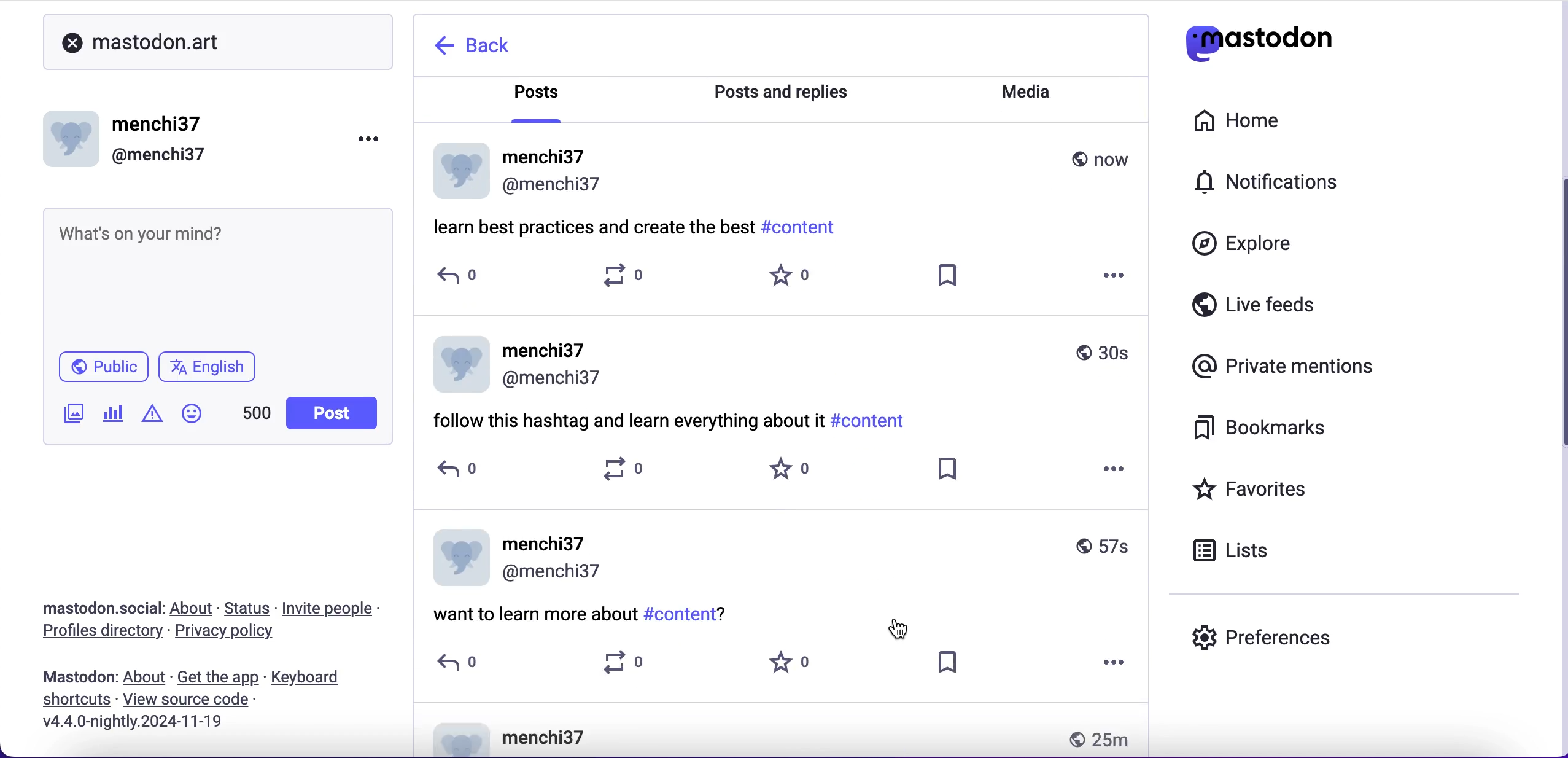 The width and height of the screenshot is (1568, 758). I want to click on private mentions, so click(1278, 367).